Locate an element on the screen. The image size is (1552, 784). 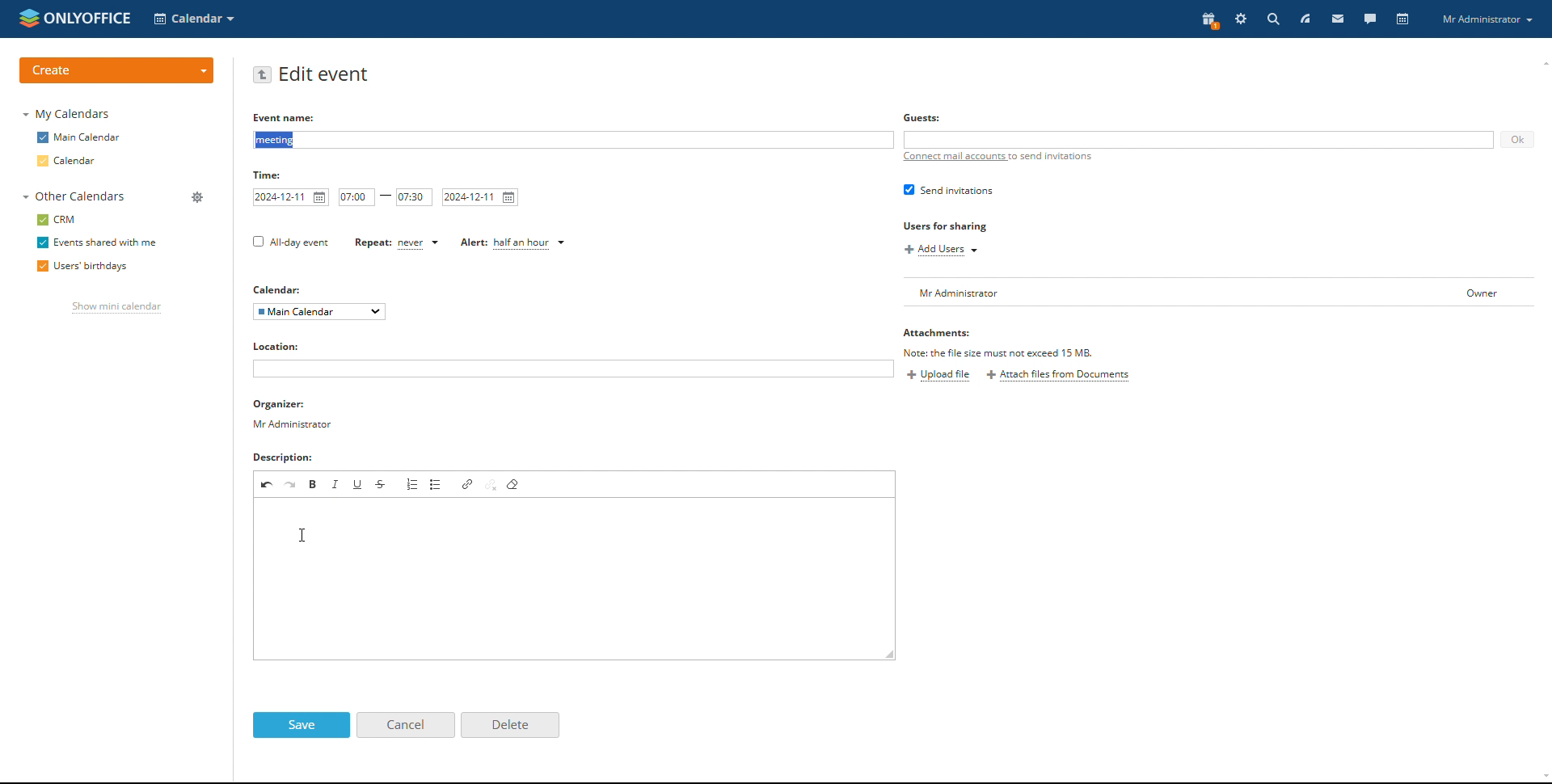
edit event is located at coordinates (324, 75).